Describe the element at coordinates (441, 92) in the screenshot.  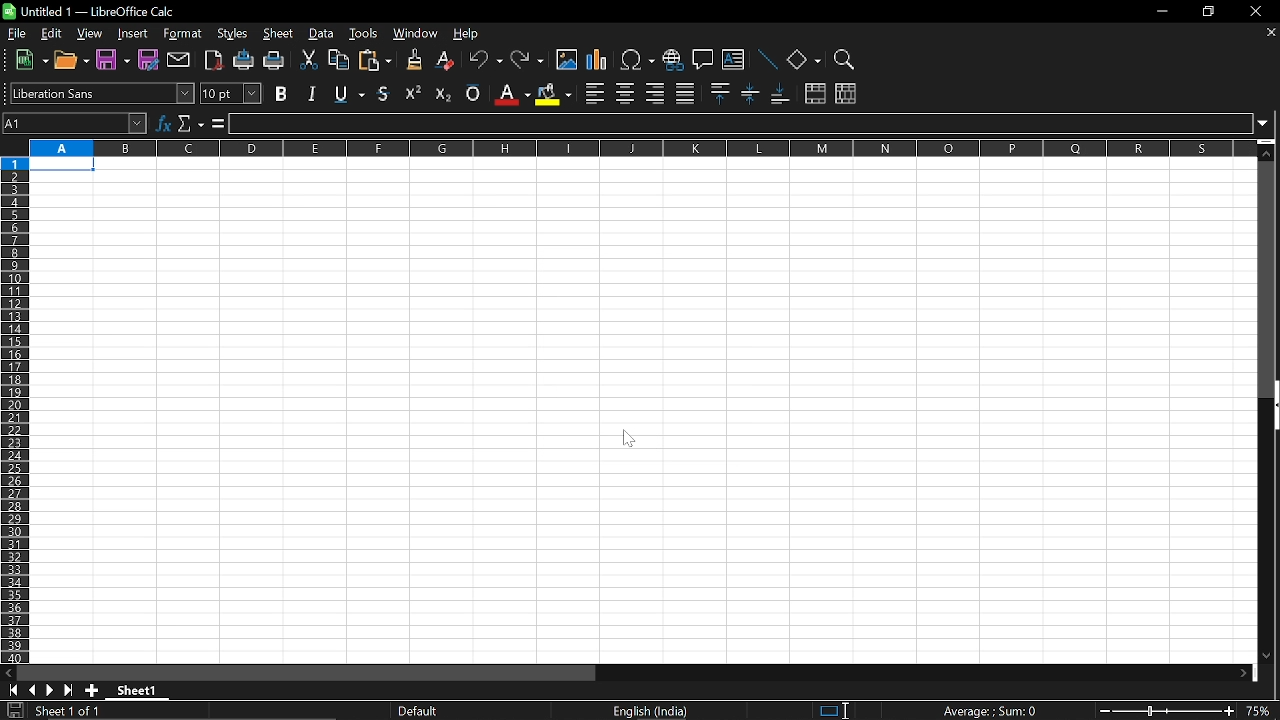
I see `subscript` at that location.